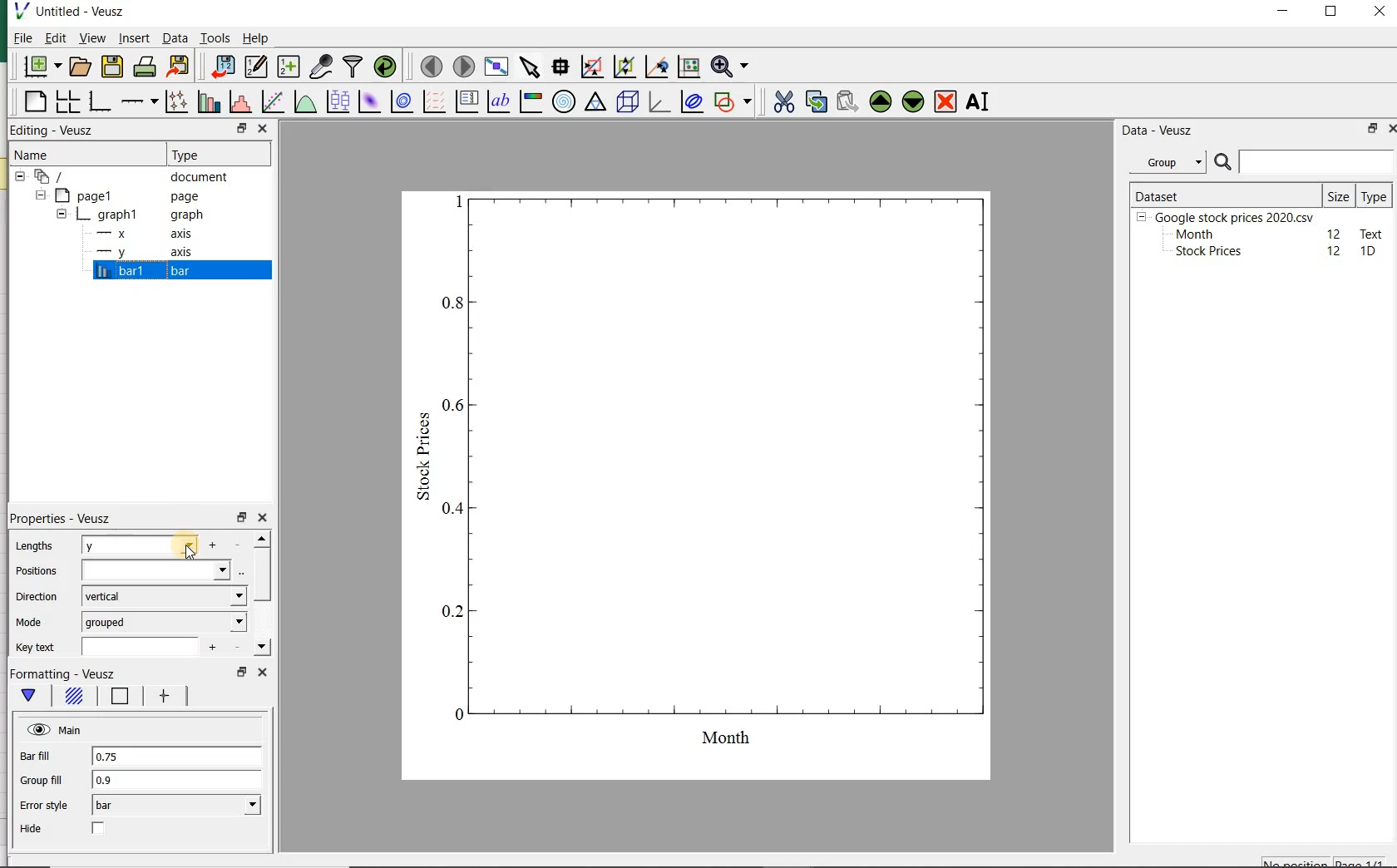  I want to click on plot a function, so click(304, 103).